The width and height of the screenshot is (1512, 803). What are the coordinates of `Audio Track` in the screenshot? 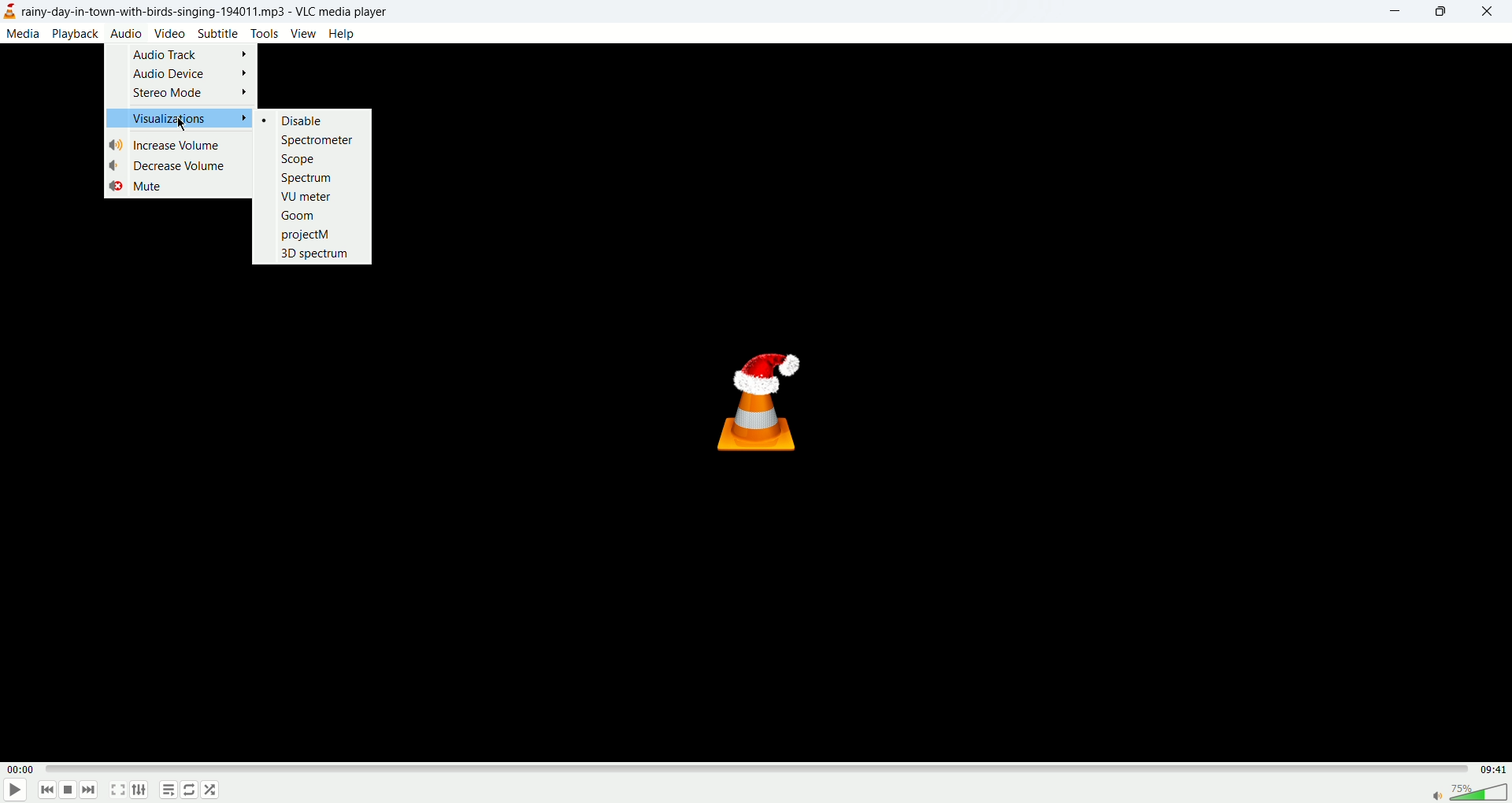 It's located at (190, 55).